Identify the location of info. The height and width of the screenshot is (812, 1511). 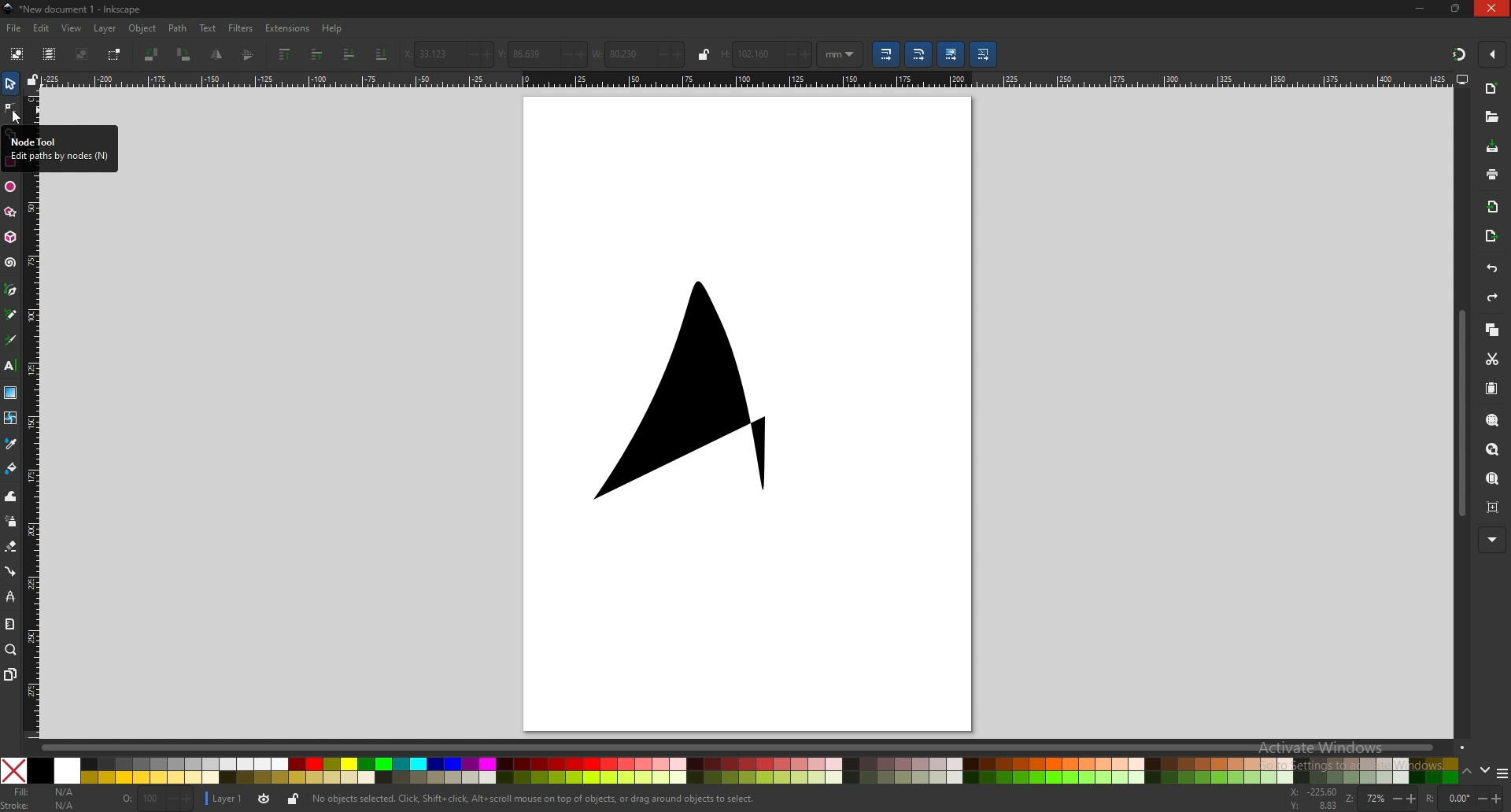
(534, 799).